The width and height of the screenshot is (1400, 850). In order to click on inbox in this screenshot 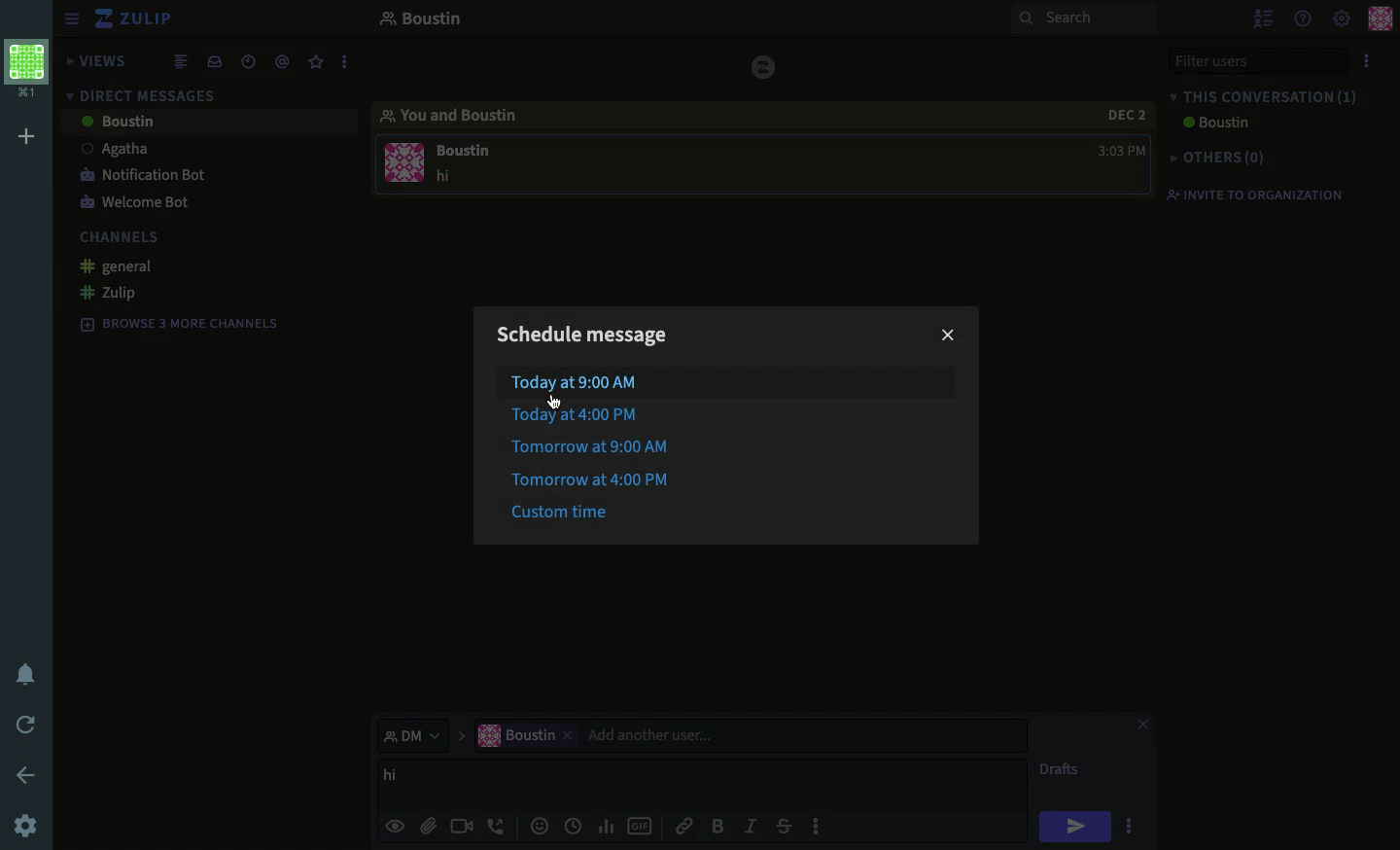, I will do `click(217, 61)`.